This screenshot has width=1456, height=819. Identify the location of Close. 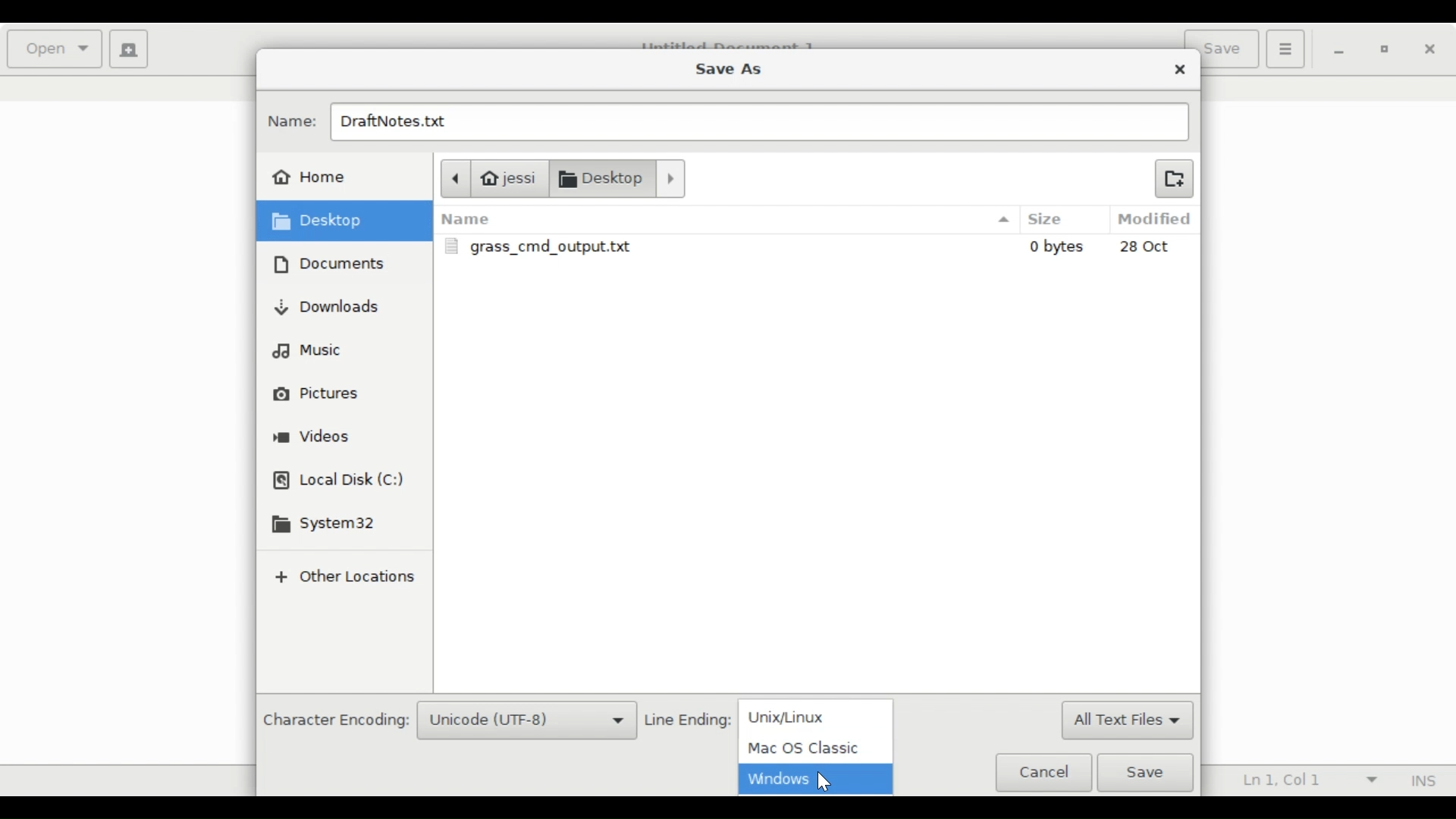
(1181, 70).